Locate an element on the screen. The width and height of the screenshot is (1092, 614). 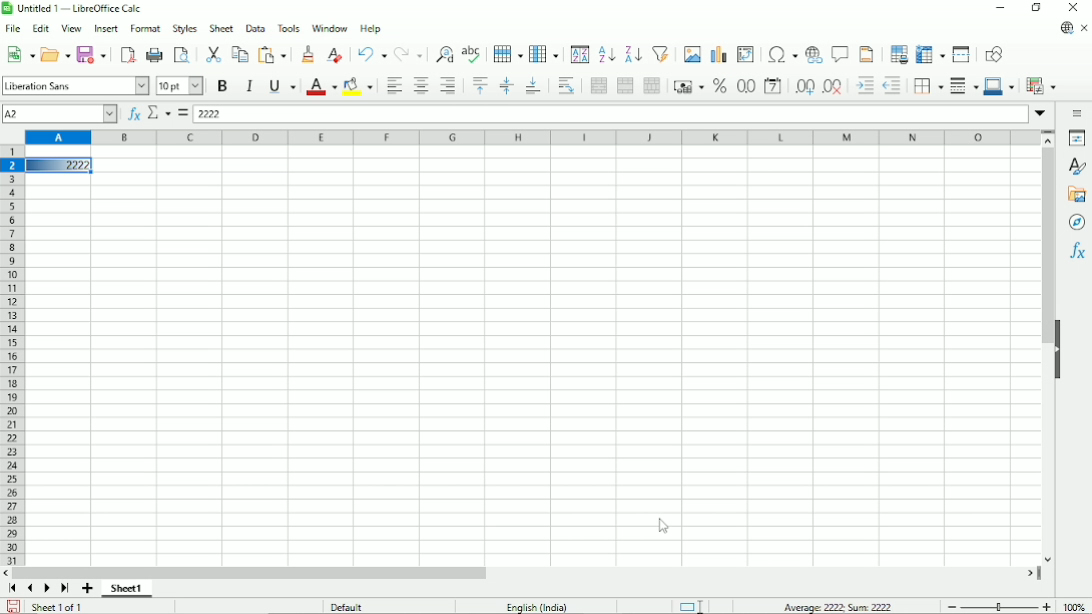
Minimize is located at coordinates (999, 7).